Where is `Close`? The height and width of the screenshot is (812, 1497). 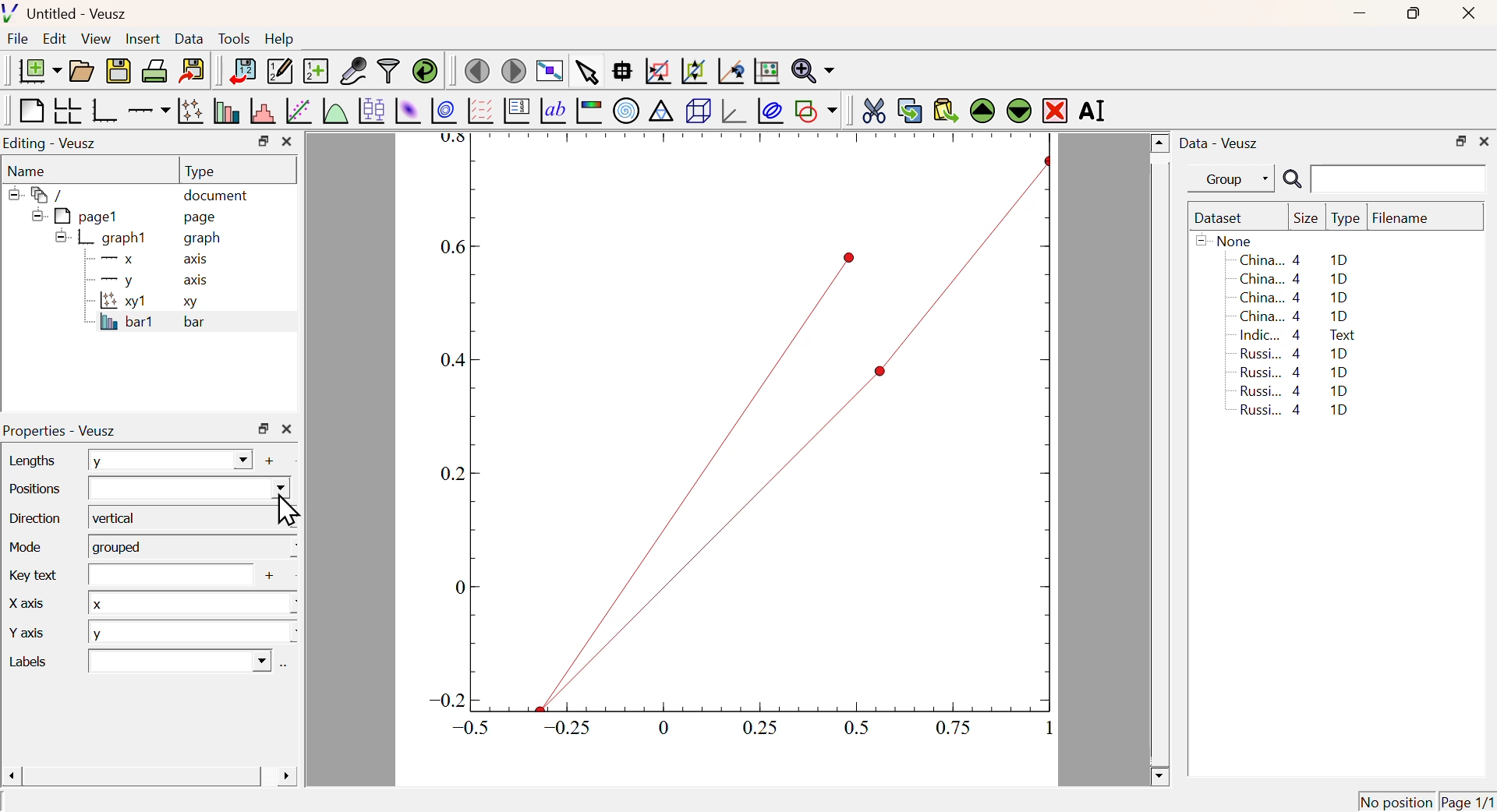
Close is located at coordinates (287, 142).